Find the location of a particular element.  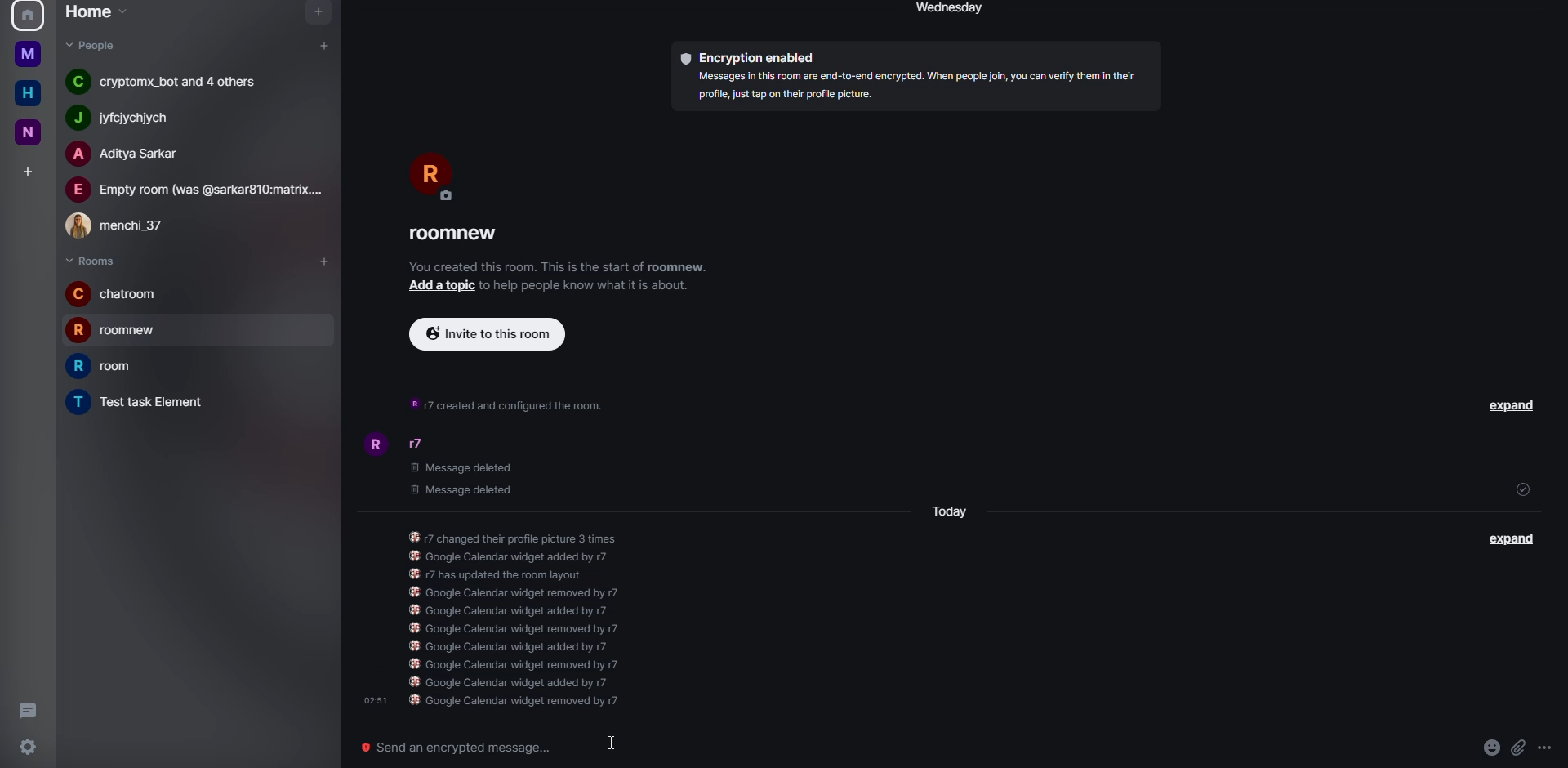

expand is located at coordinates (1509, 407).